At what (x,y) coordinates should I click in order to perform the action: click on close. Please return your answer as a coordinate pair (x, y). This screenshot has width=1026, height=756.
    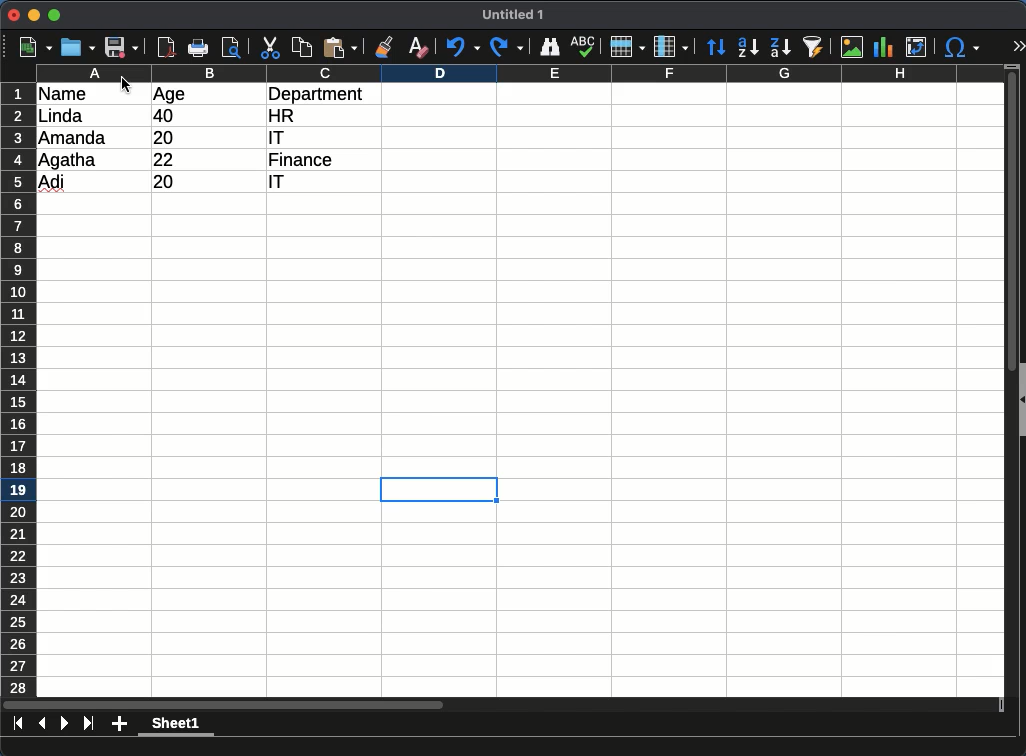
    Looking at the image, I should click on (14, 16).